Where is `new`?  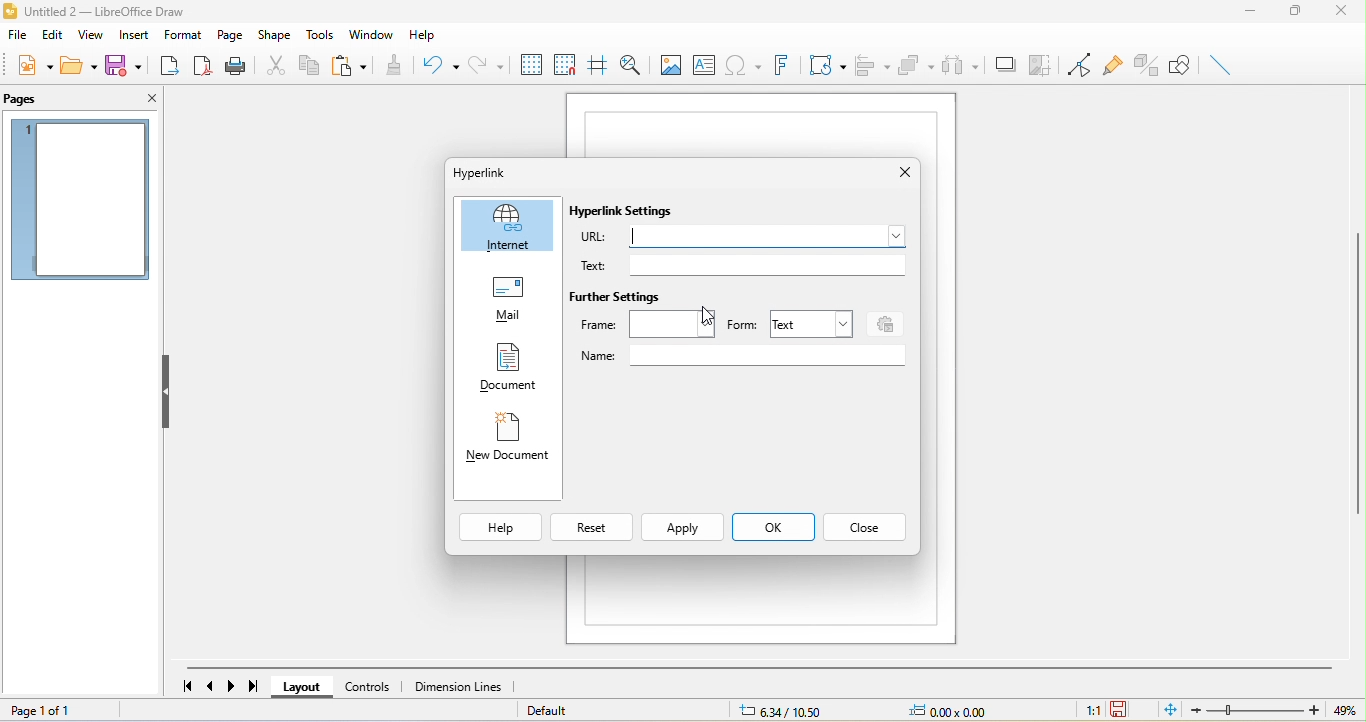 new is located at coordinates (28, 69).